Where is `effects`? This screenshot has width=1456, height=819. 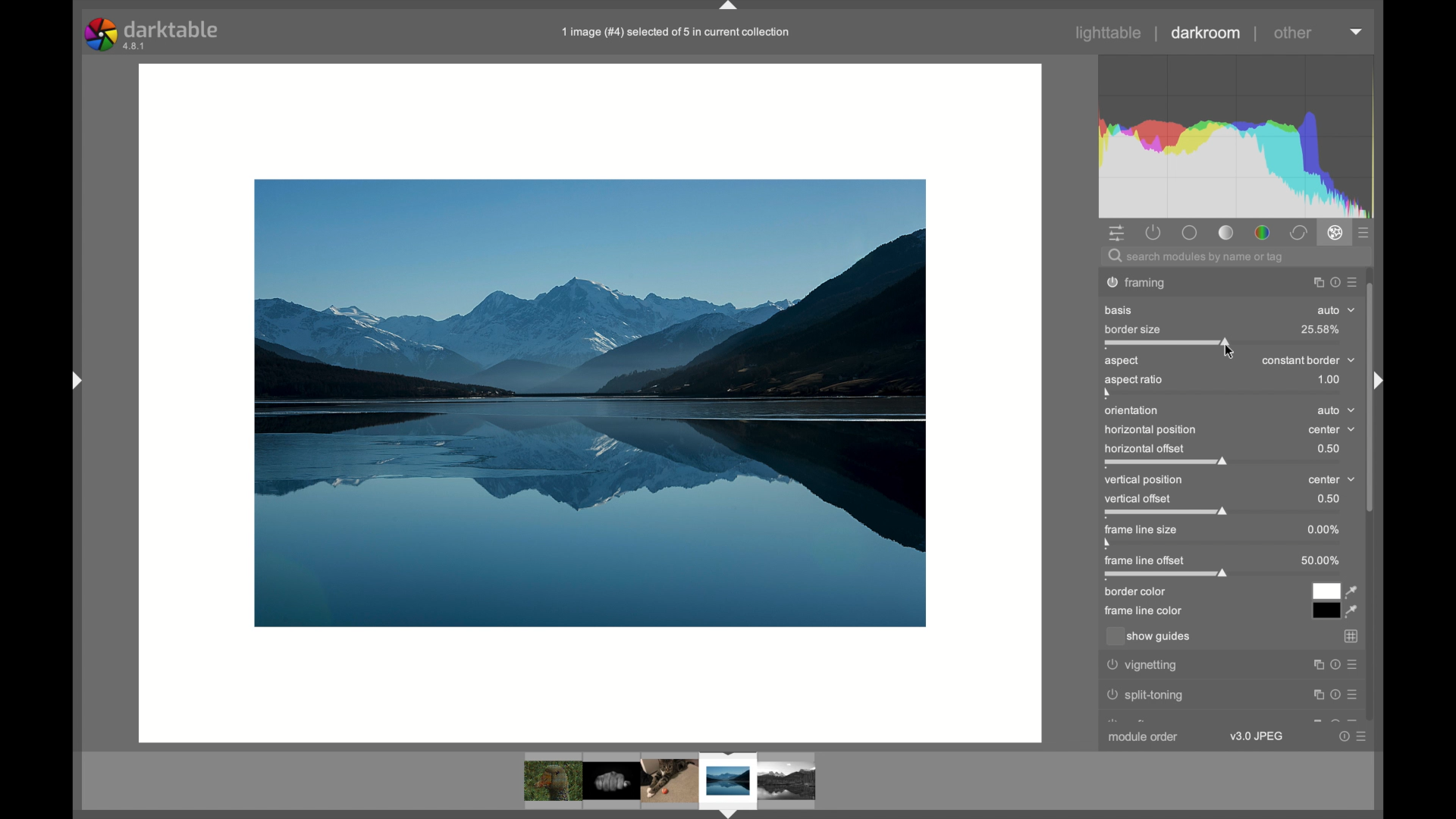
effects is located at coordinates (1336, 232).